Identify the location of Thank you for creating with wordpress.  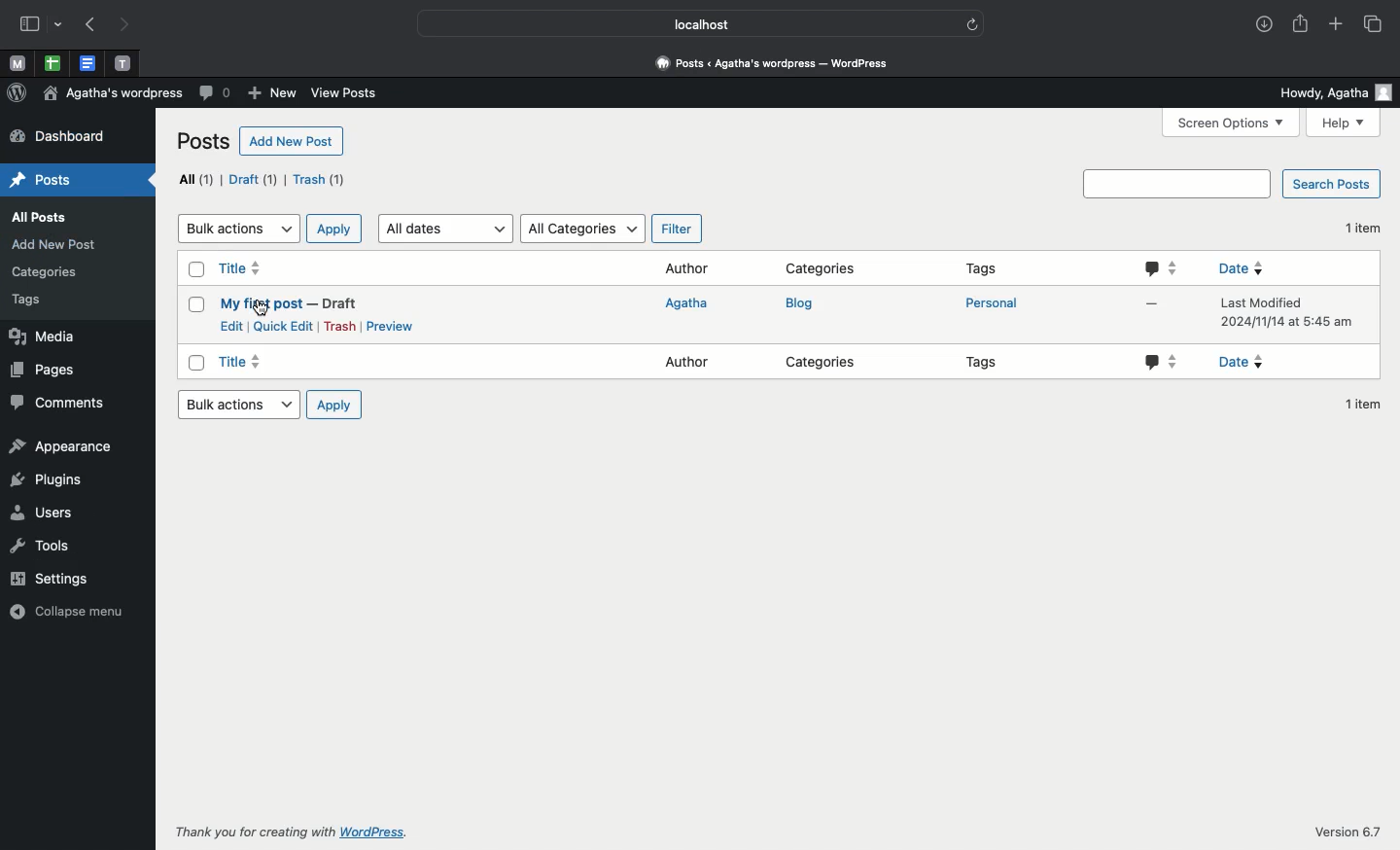
(297, 831).